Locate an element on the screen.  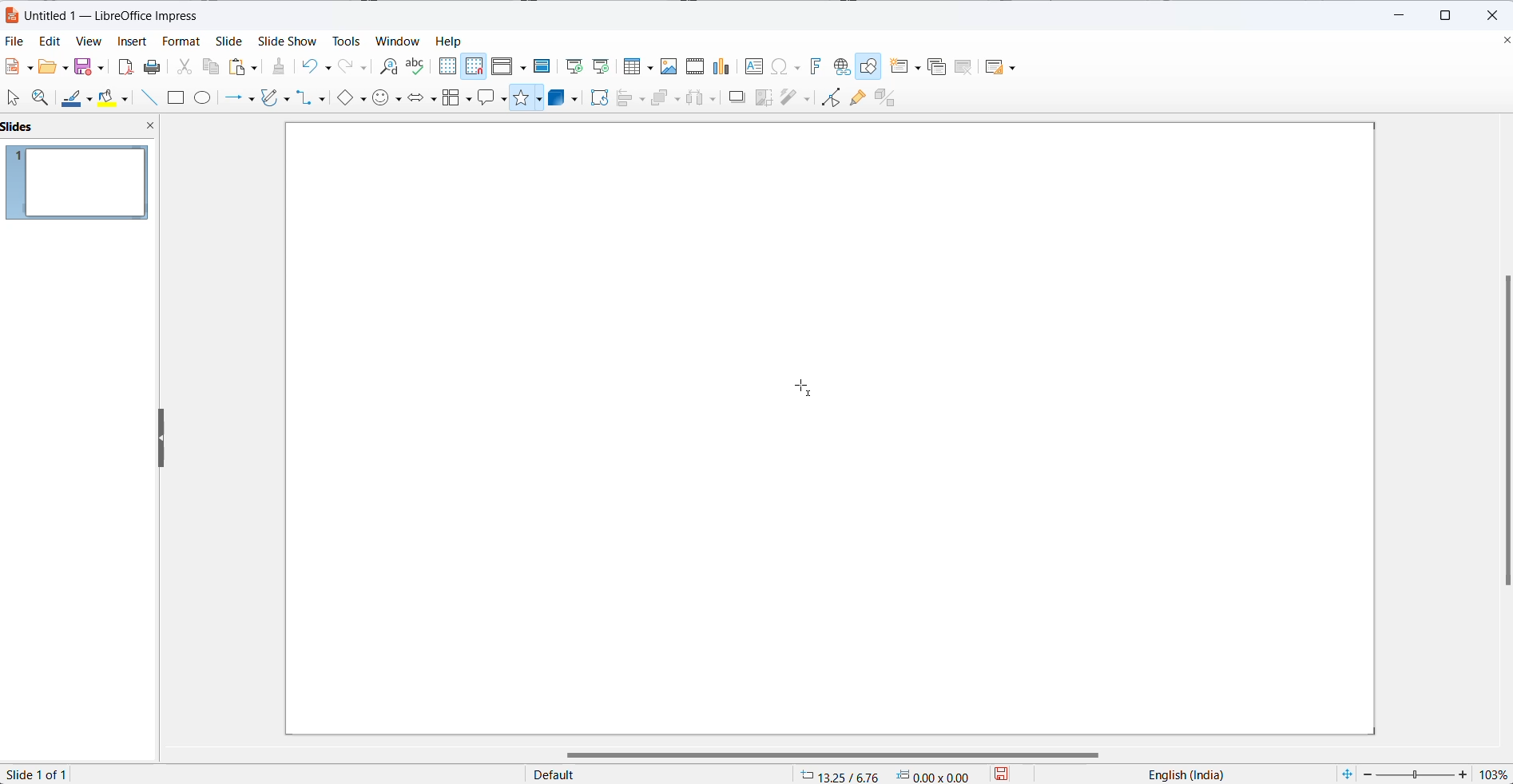
zoom percentage is located at coordinates (1495, 774).